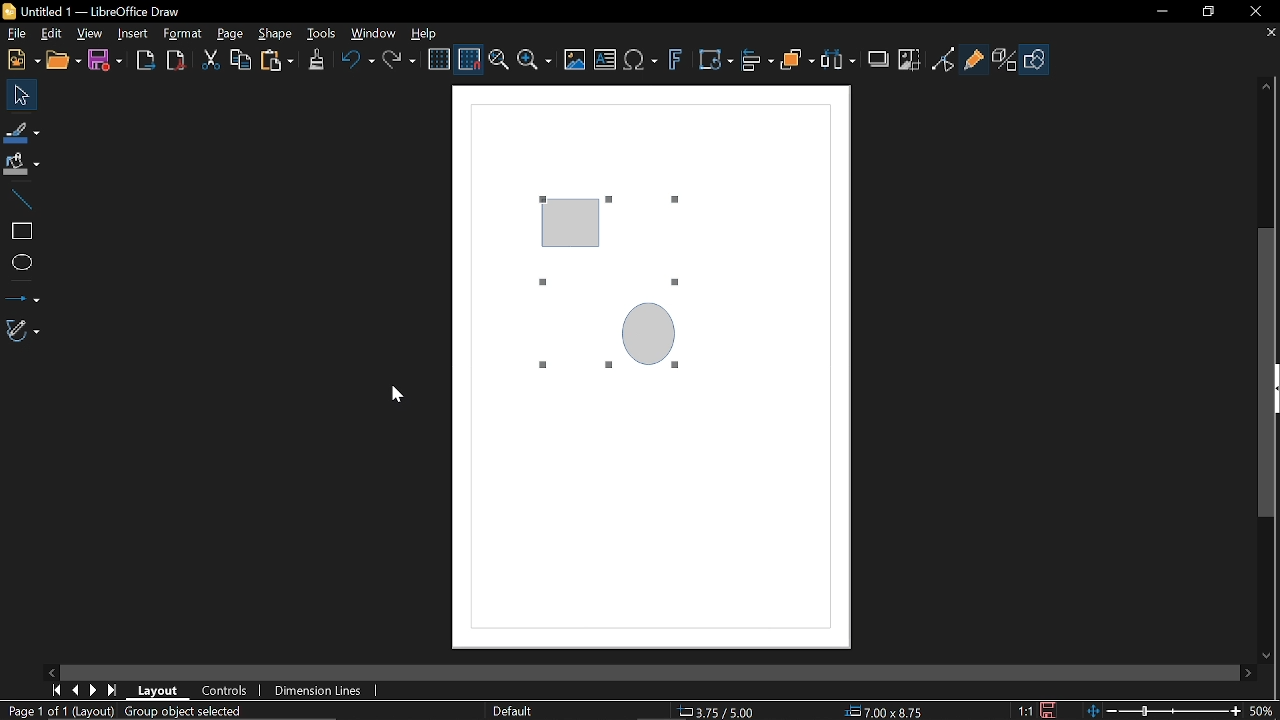  Describe the element at coordinates (1049, 710) in the screenshot. I see `Save` at that location.